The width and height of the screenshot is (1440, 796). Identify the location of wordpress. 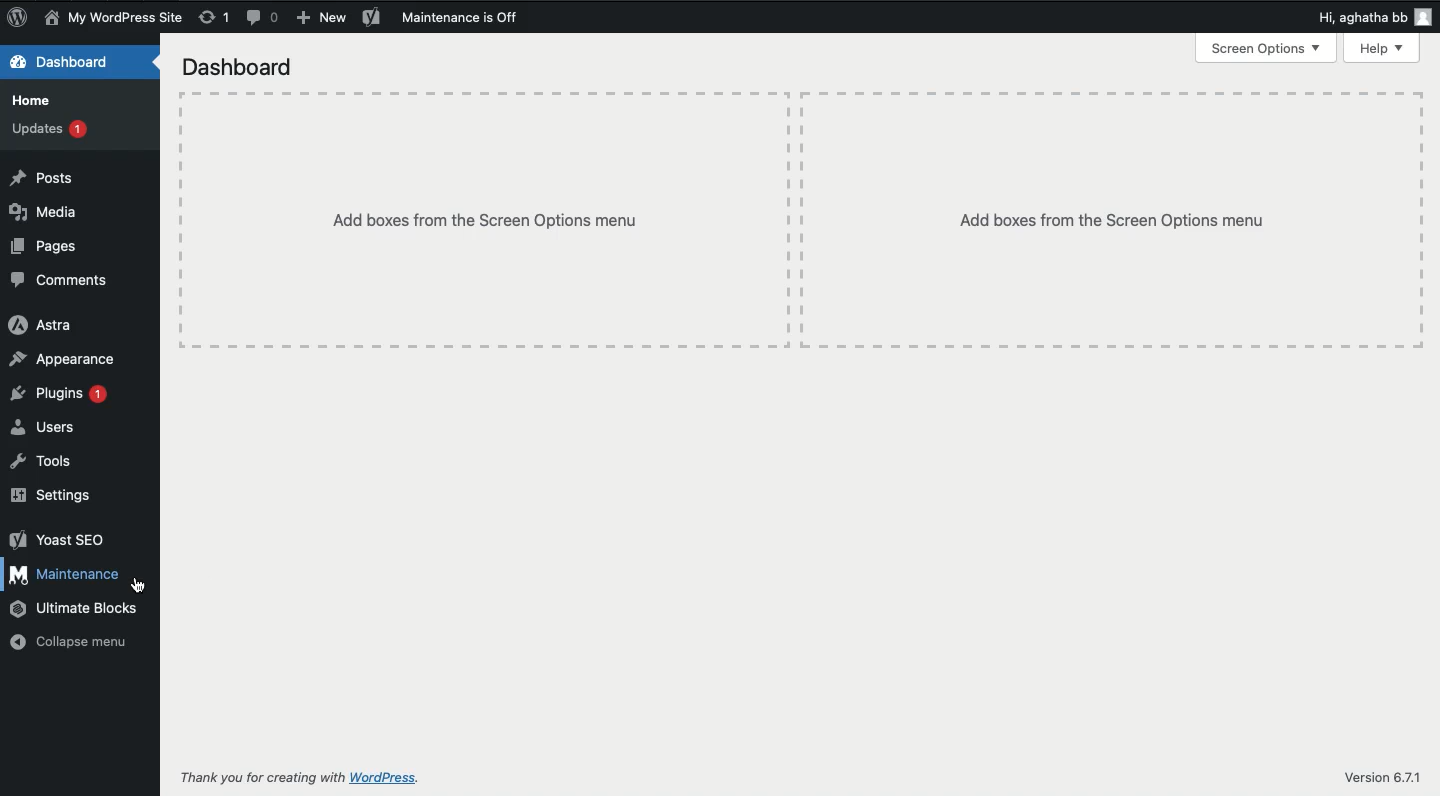
(390, 777).